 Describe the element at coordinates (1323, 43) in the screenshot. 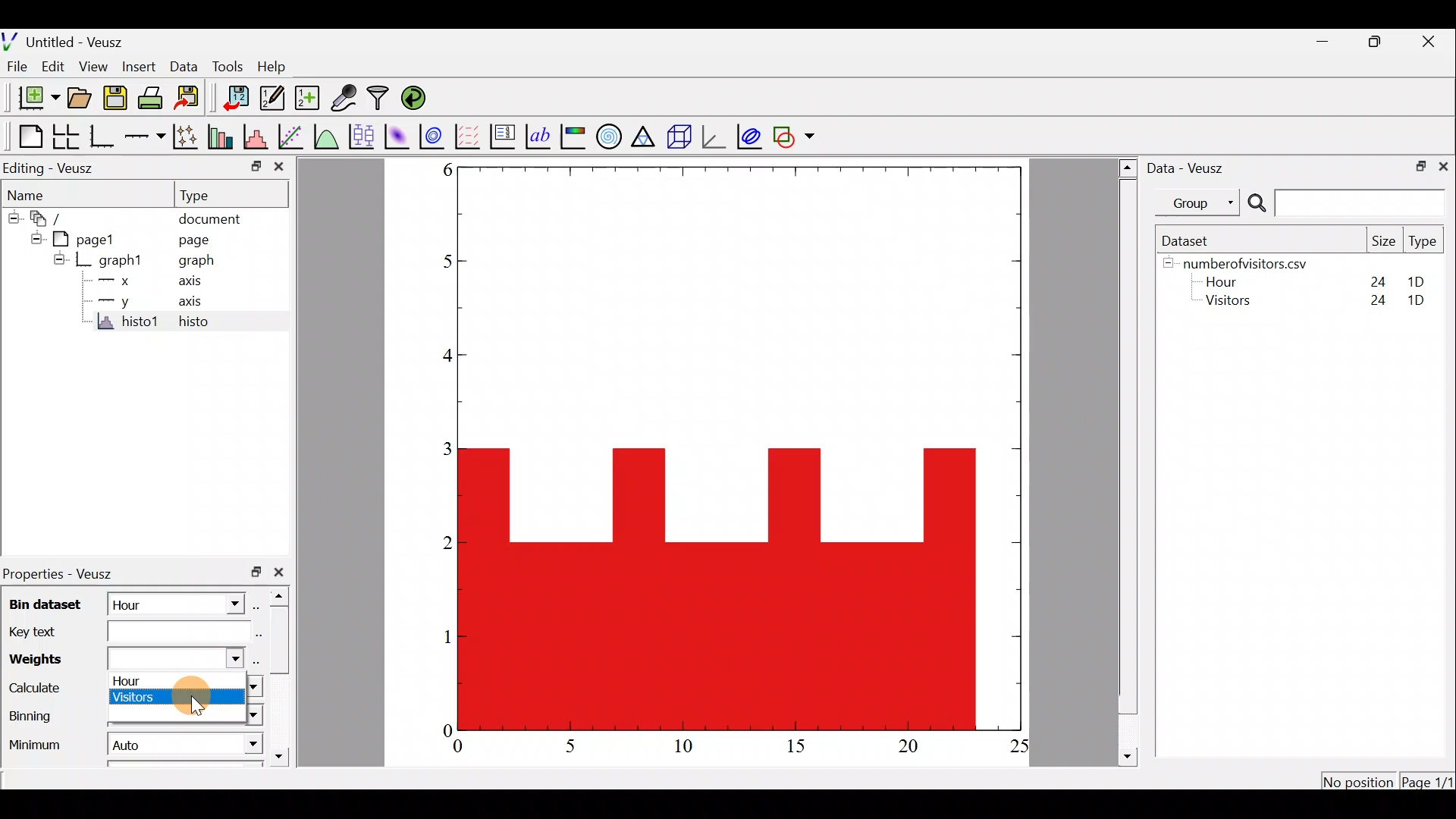

I see `minimize` at that location.